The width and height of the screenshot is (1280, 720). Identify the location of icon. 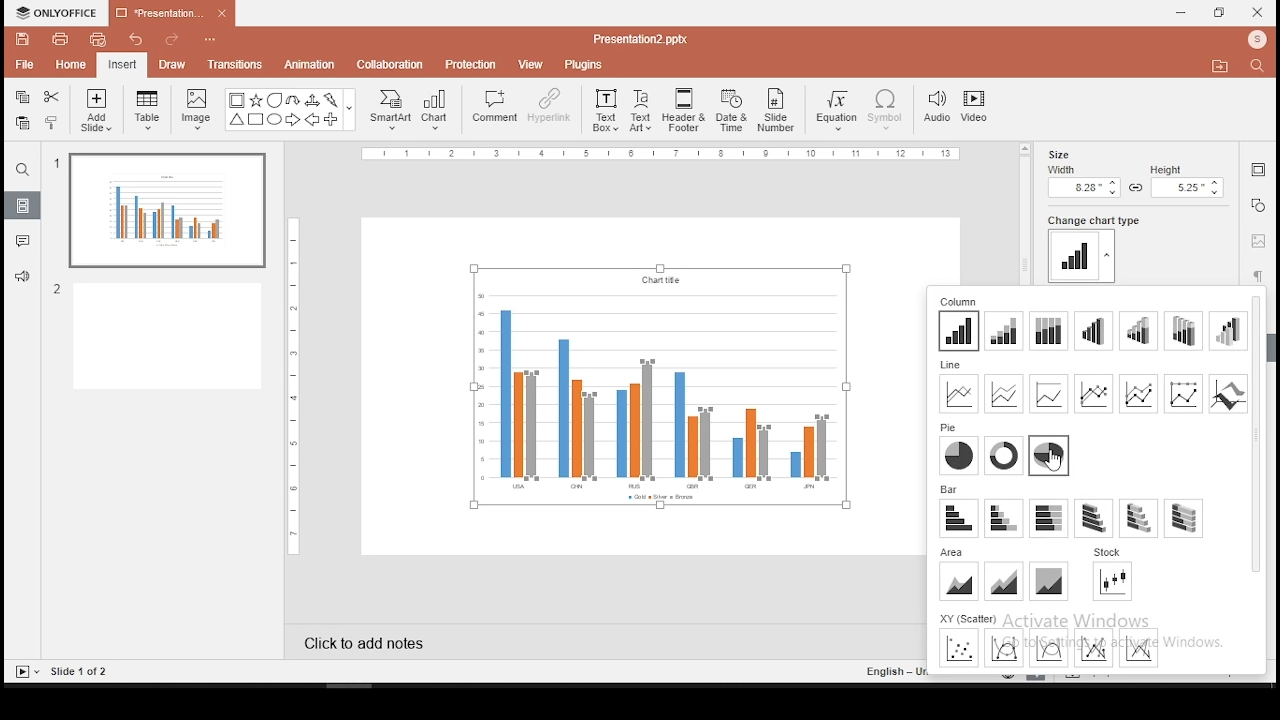
(1257, 41).